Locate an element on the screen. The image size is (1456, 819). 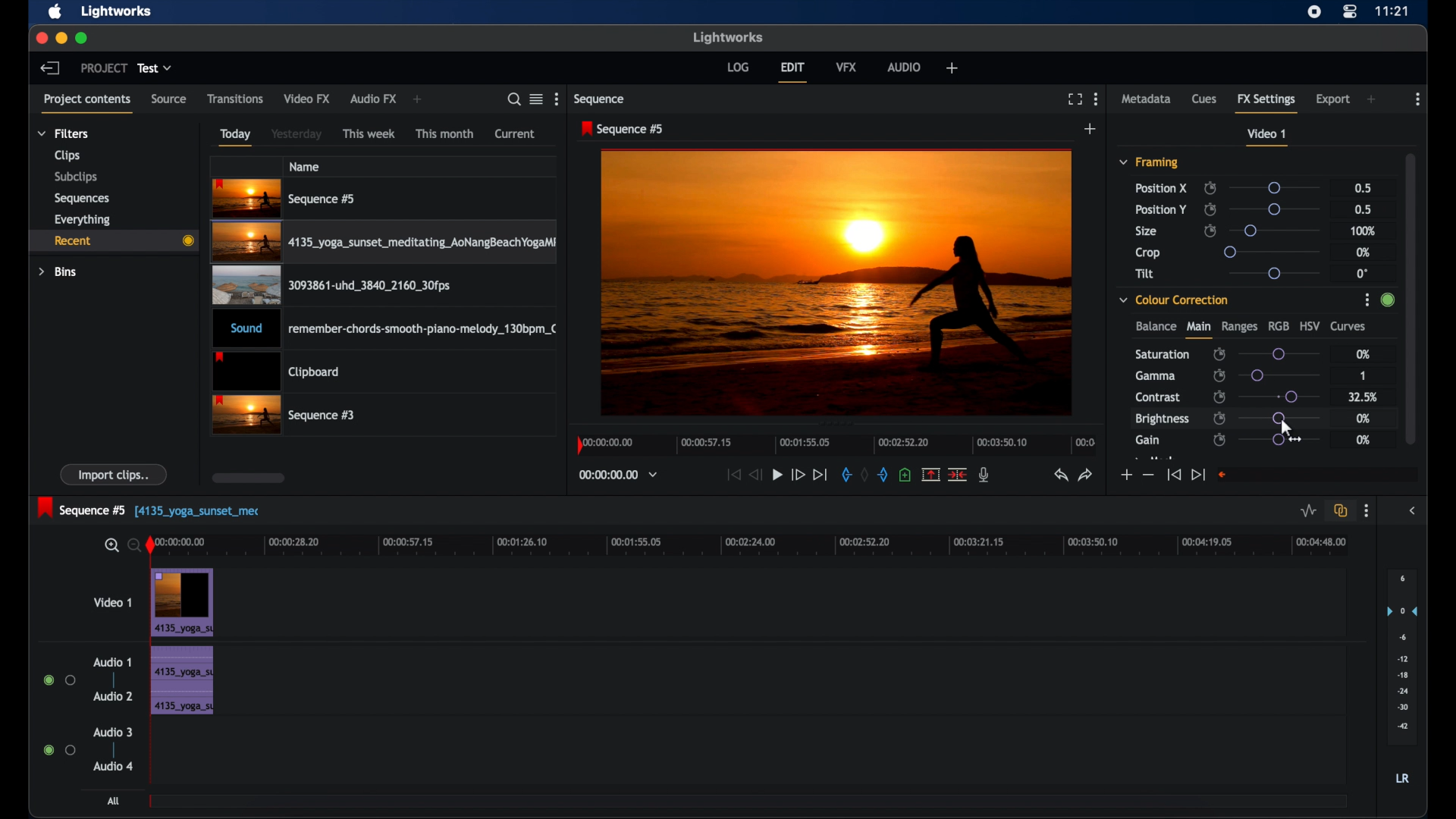
enable/disable keyframes is located at coordinates (1210, 209).